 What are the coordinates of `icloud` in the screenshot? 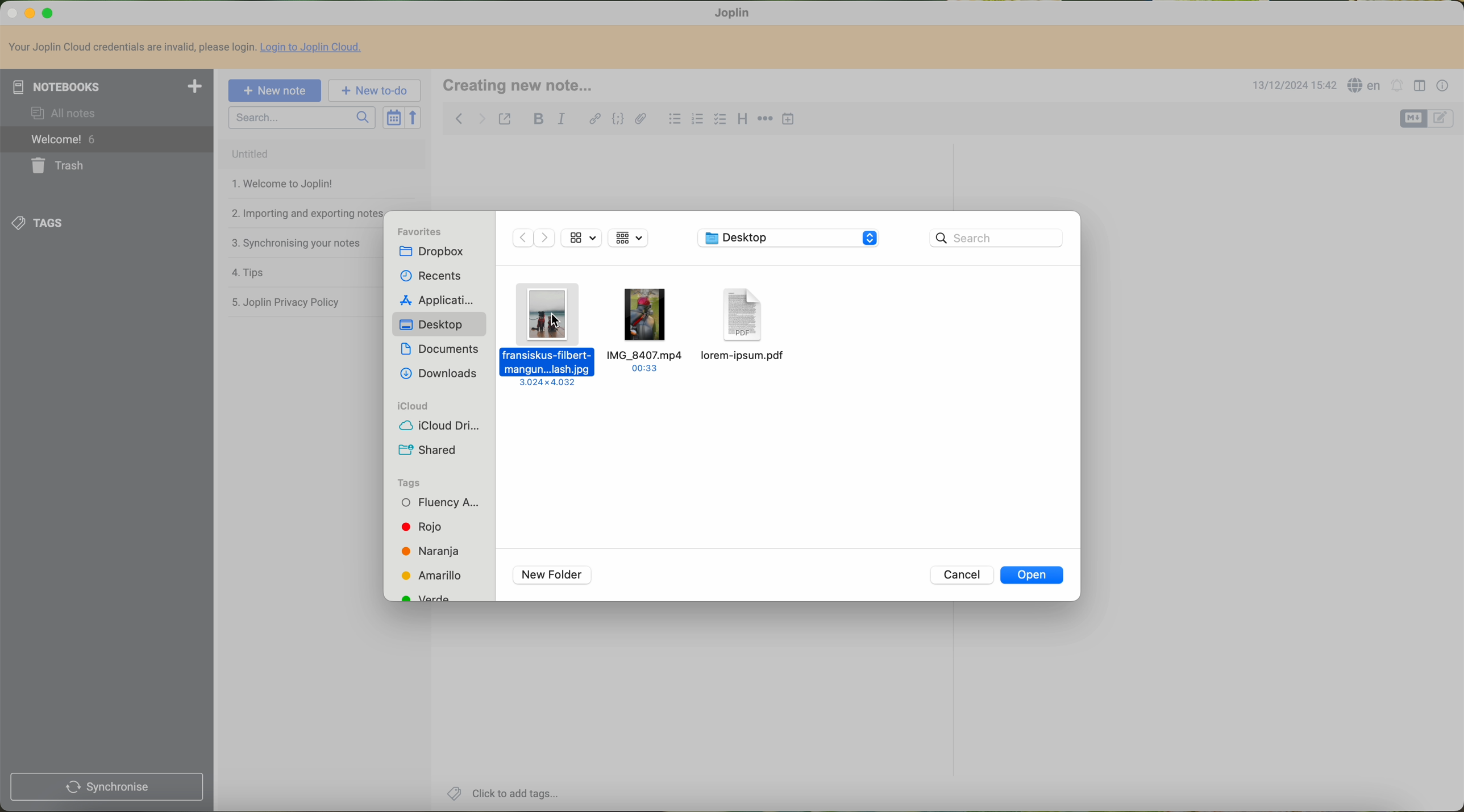 It's located at (411, 406).